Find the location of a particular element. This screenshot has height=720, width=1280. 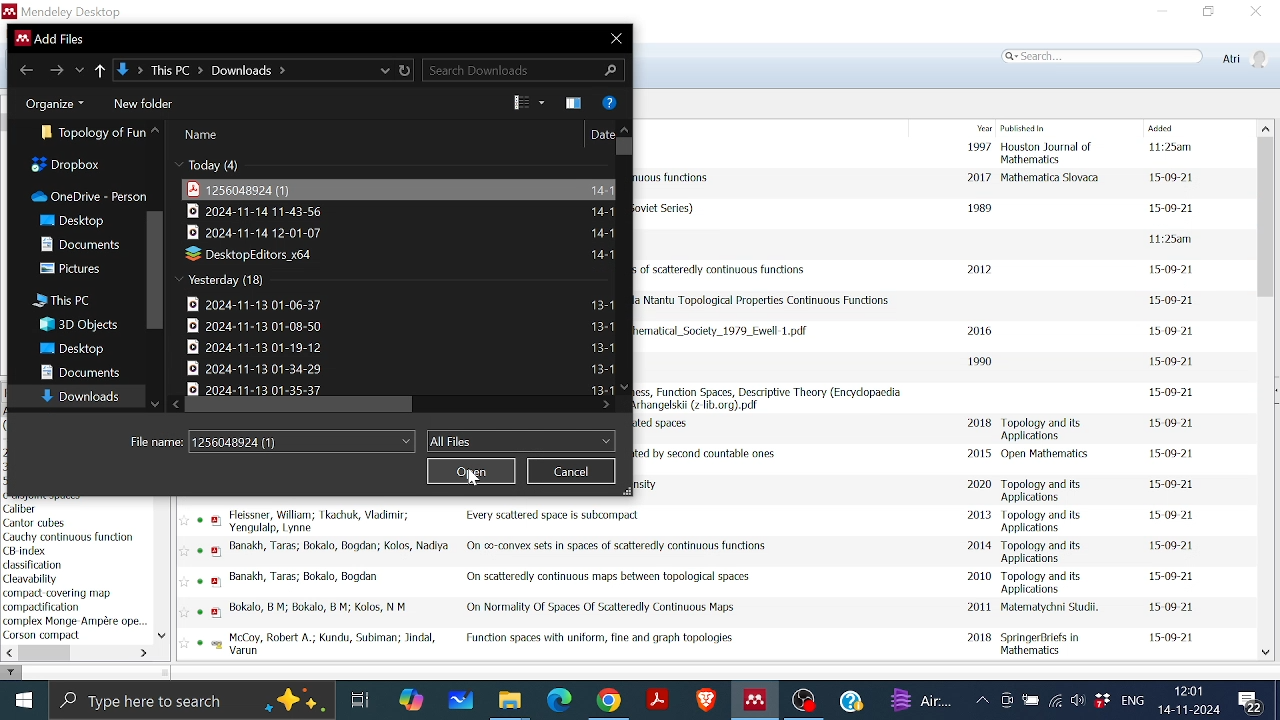

keyword is located at coordinates (34, 566).